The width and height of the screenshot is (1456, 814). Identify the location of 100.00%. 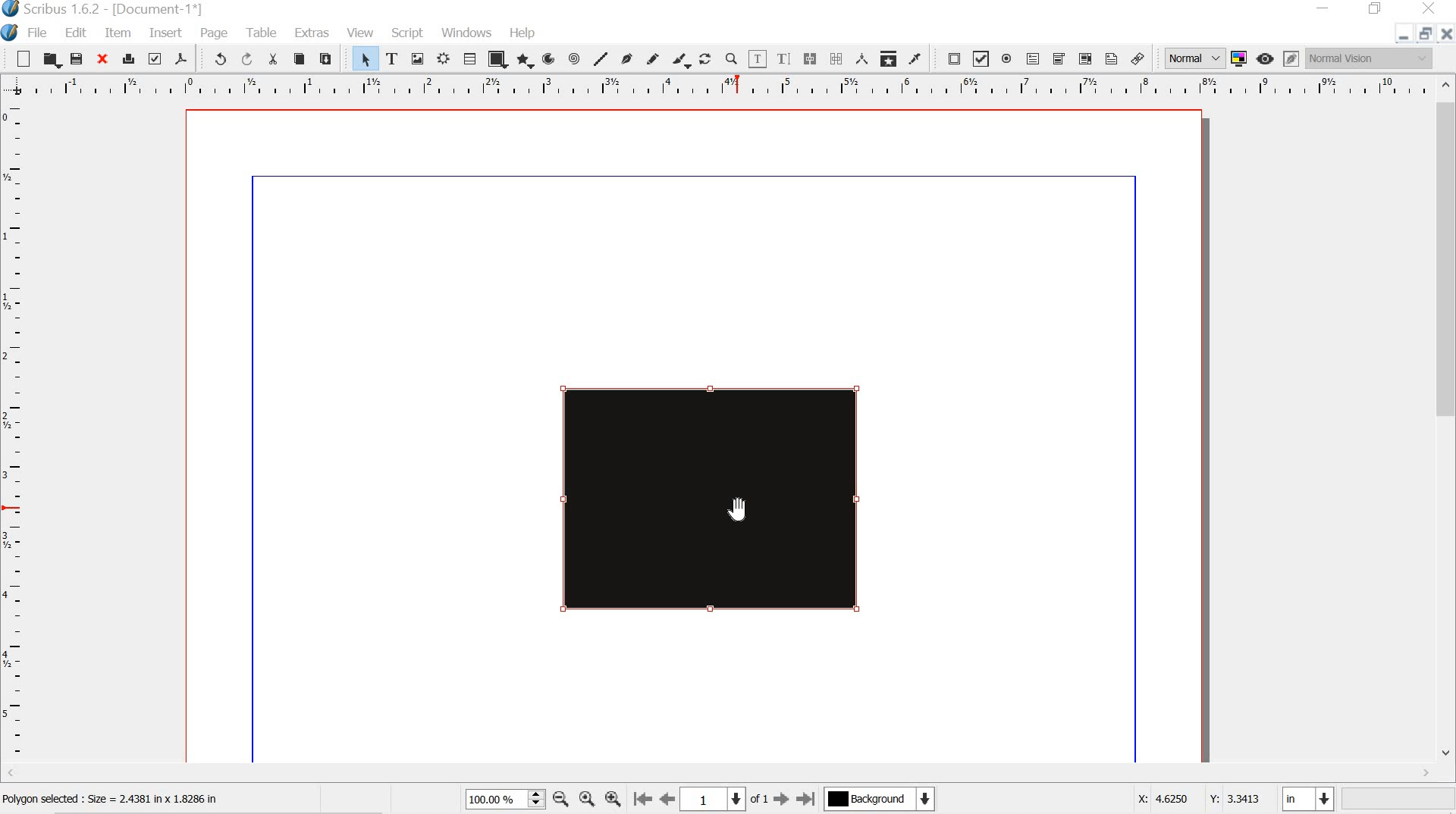
(504, 799).